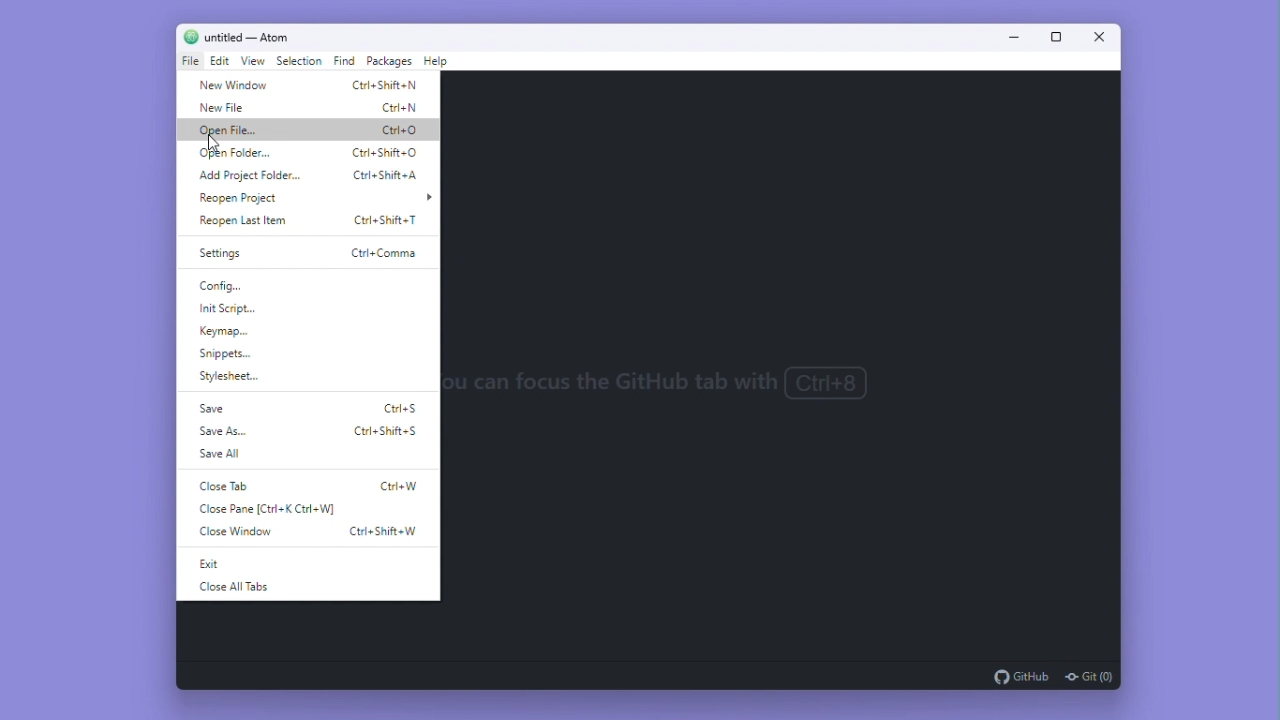 The image size is (1280, 720). I want to click on File , so click(189, 61).